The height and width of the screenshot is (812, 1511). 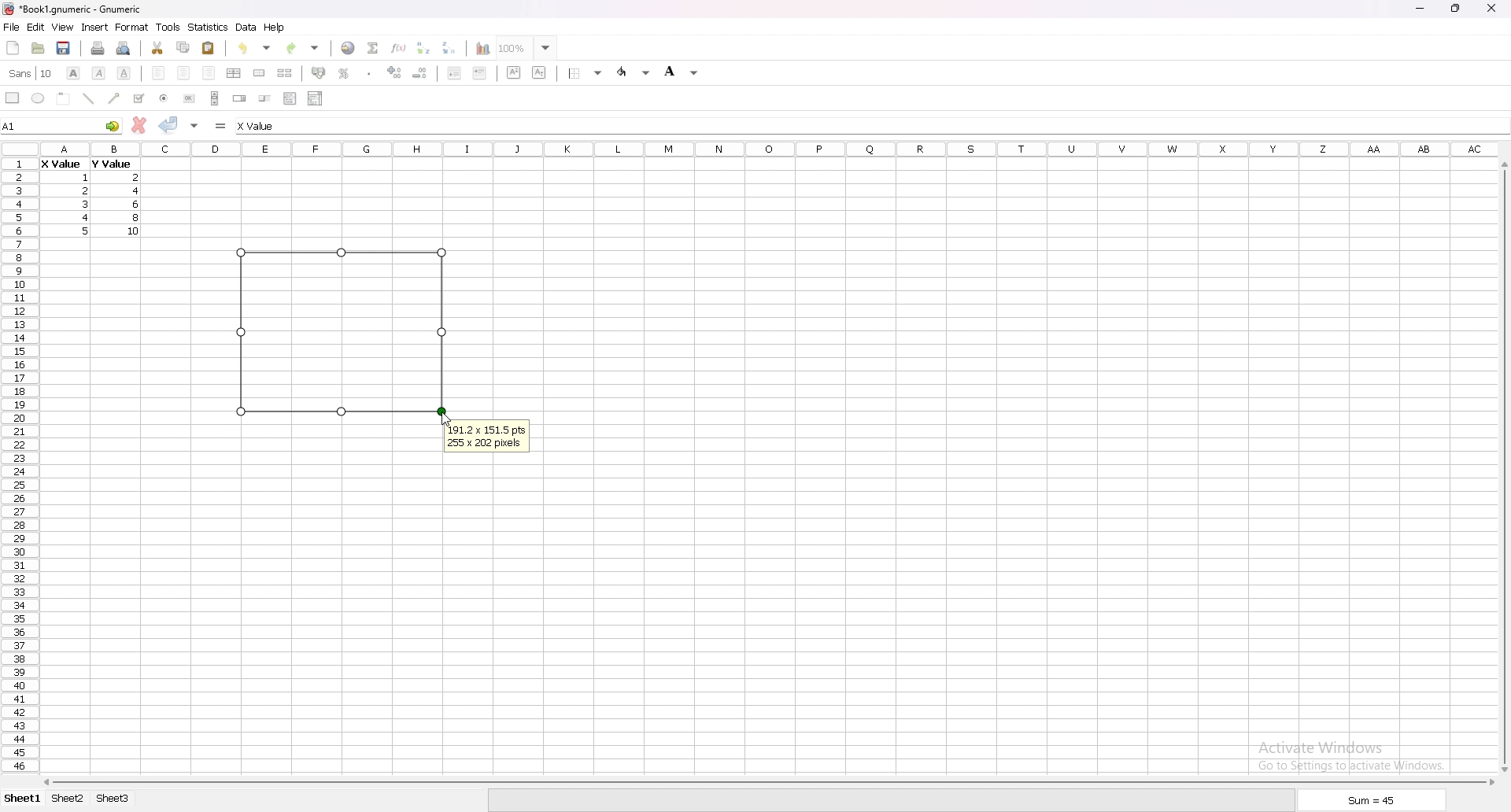 What do you see at coordinates (767, 782) in the screenshot?
I see `scroll bar` at bounding box center [767, 782].